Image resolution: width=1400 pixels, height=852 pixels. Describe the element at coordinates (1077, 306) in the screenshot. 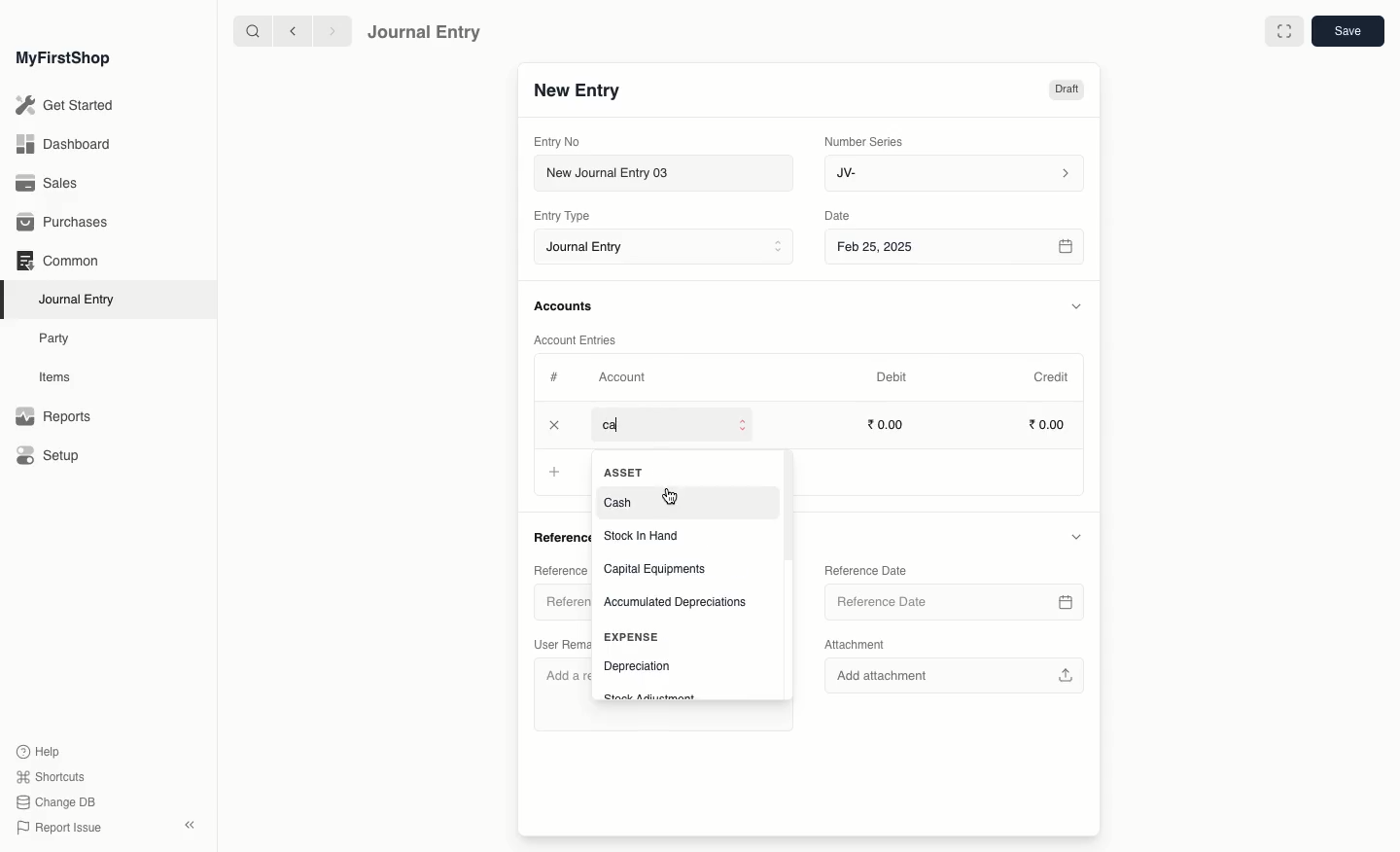

I see `Hide` at that location.